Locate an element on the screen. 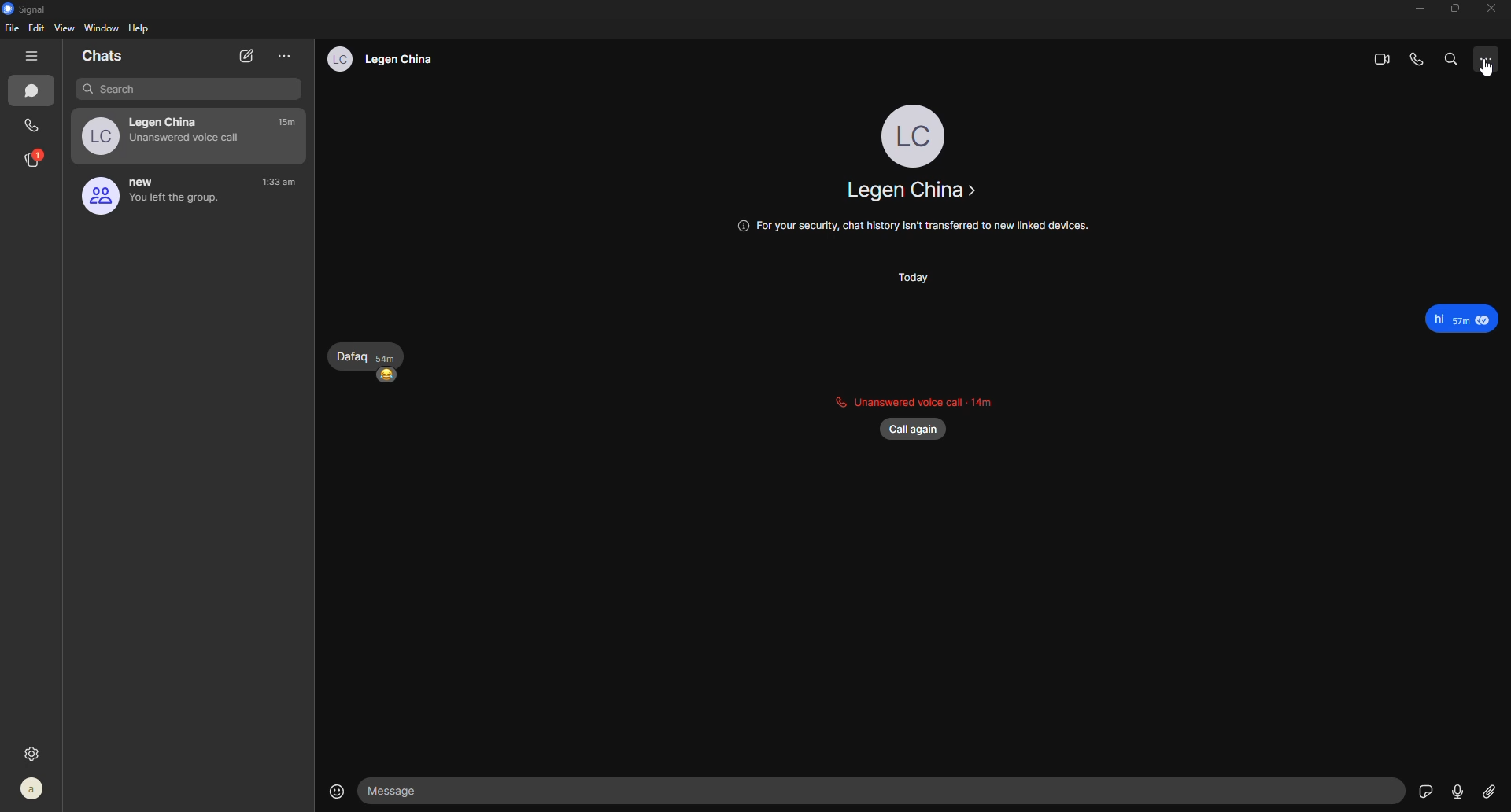 The height and width of the screenshot is (812, 1511). more is located at coordinates (1486, 61).